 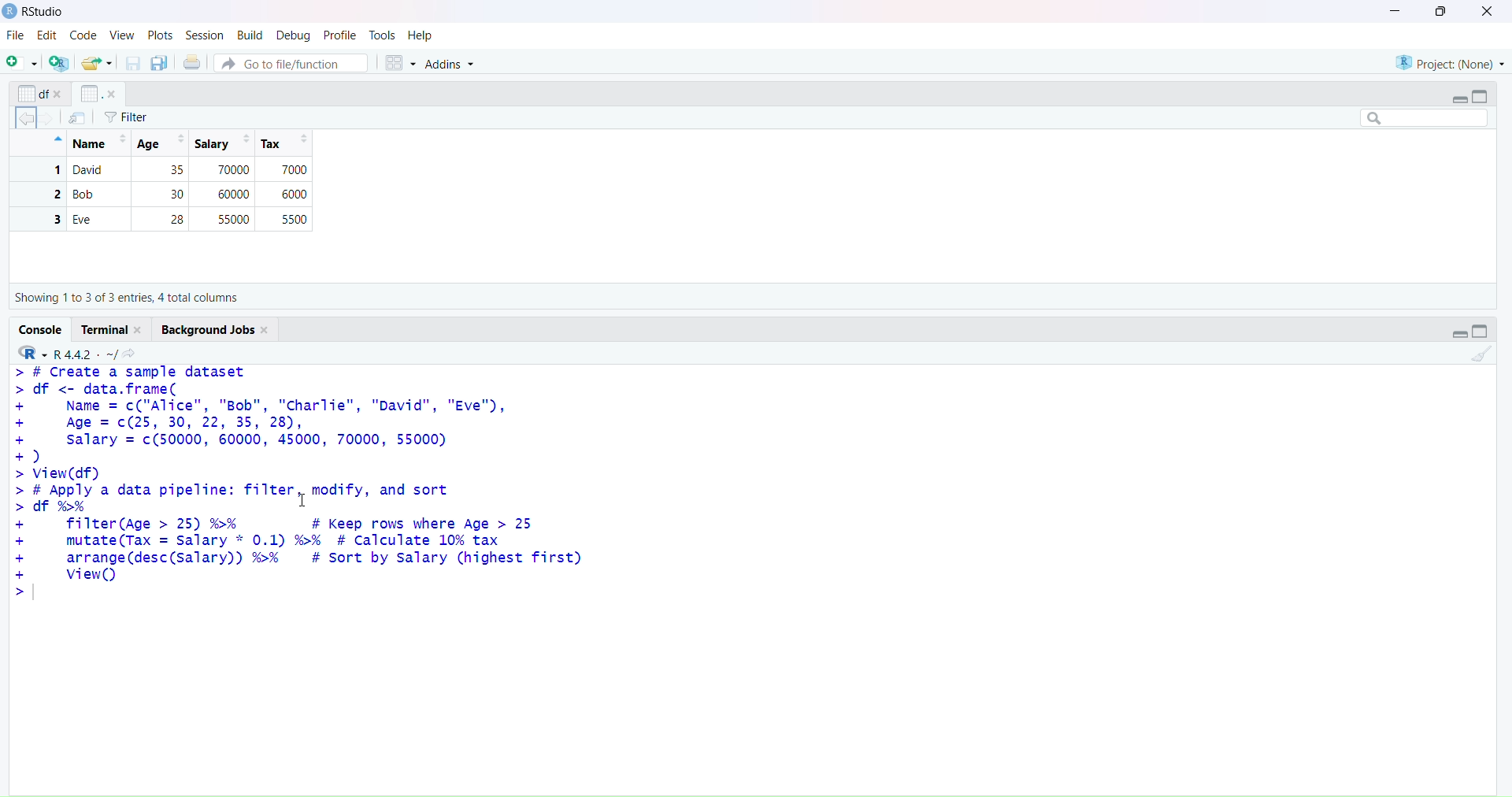 I want to click on background jobs, so click(x=217, y=330).